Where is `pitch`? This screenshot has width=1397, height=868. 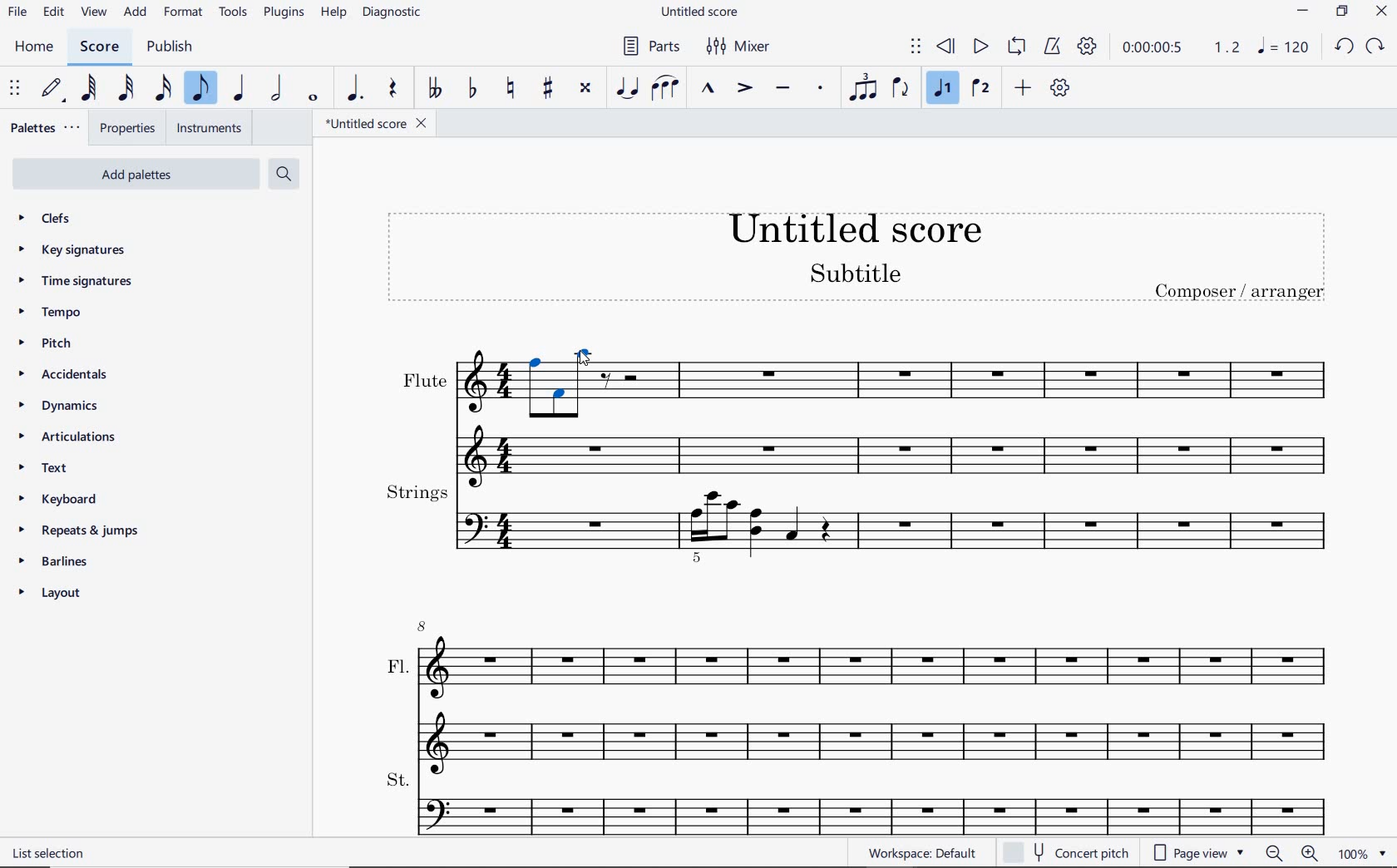 pitch is located at coordinates (48, 345).